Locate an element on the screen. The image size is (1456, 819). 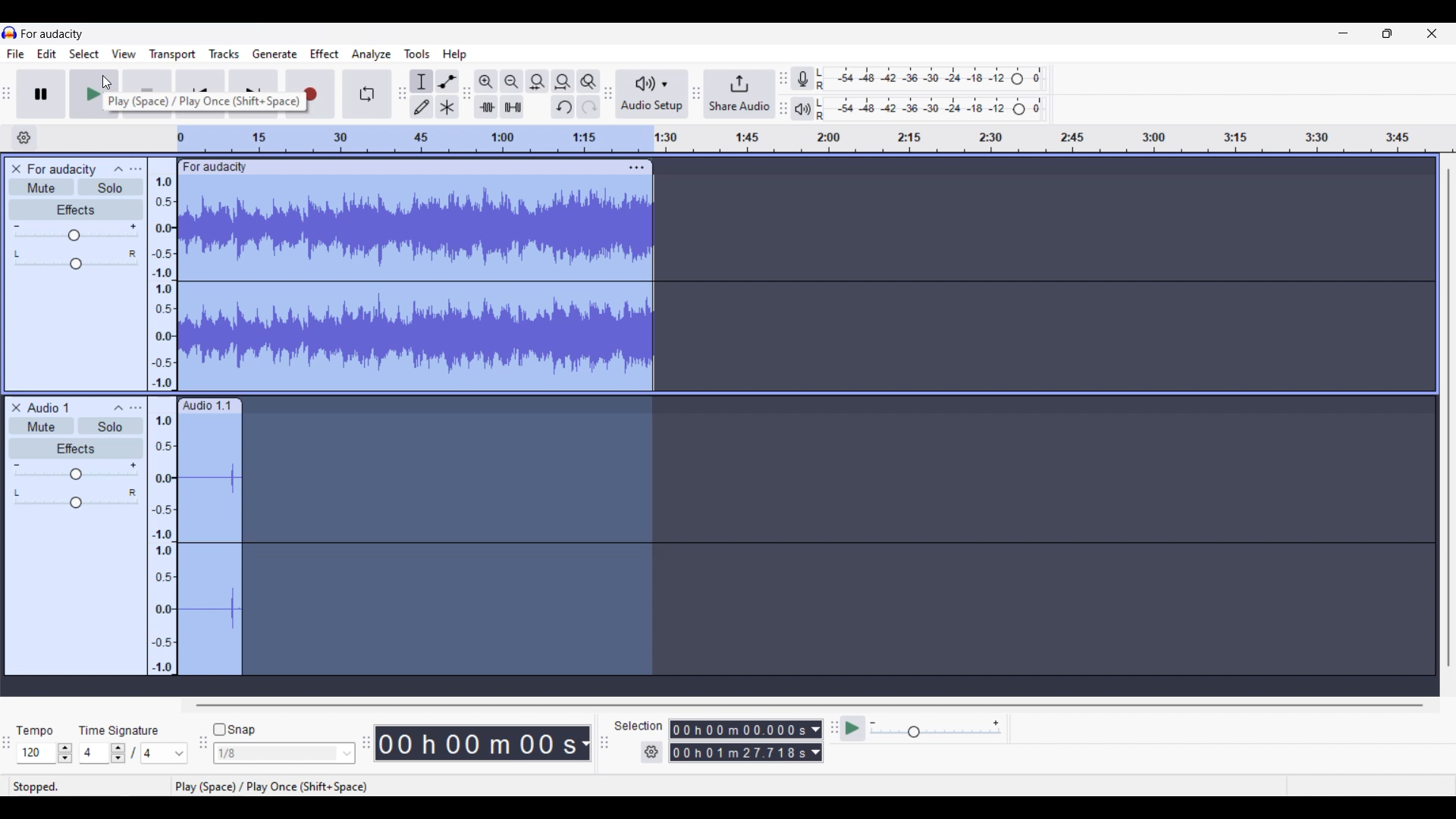
Generate is located at coordinates (275, 53).